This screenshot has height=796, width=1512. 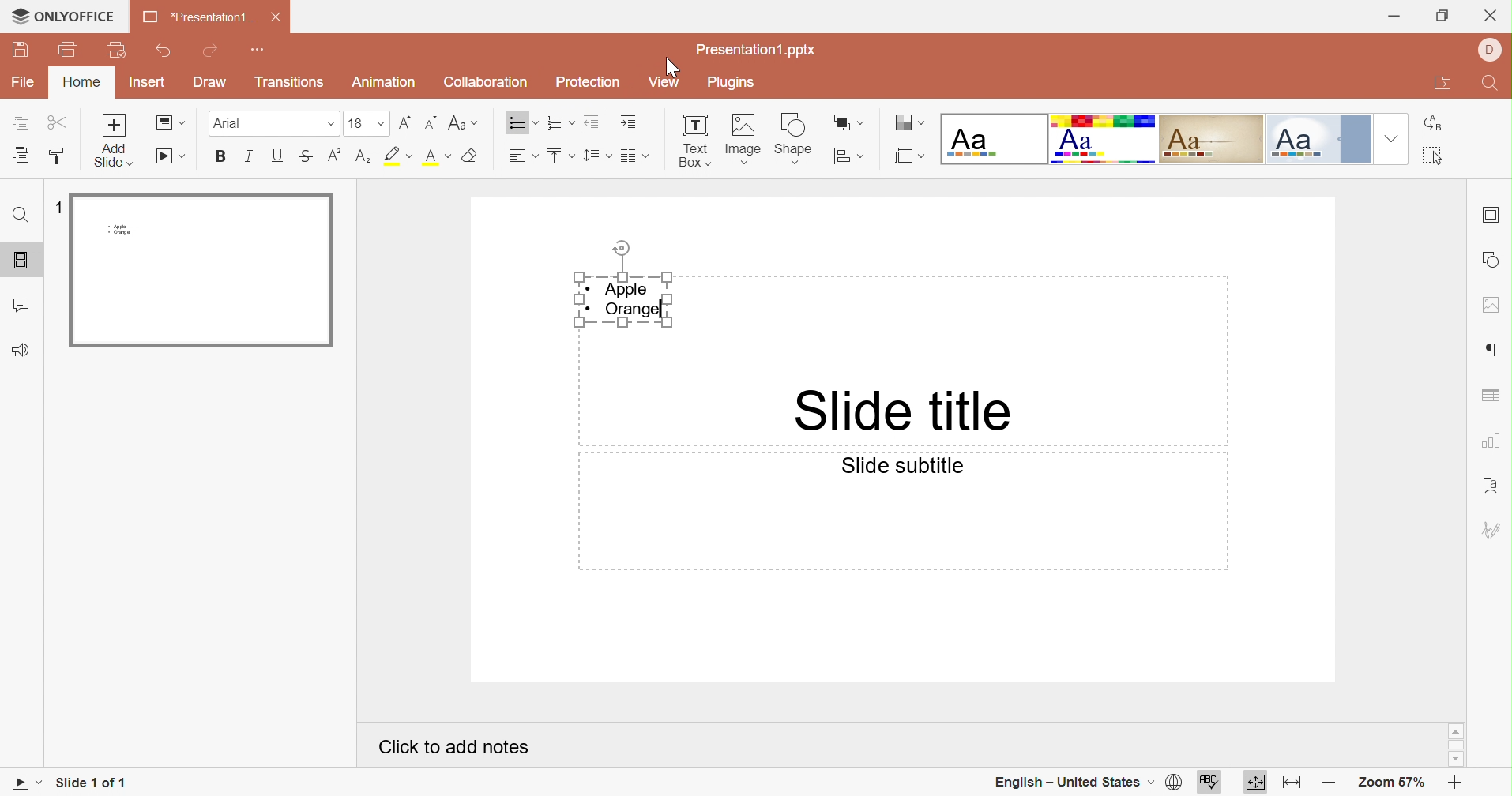 I want to click on Customize quick access toolbar, so click(x=261, y=50).